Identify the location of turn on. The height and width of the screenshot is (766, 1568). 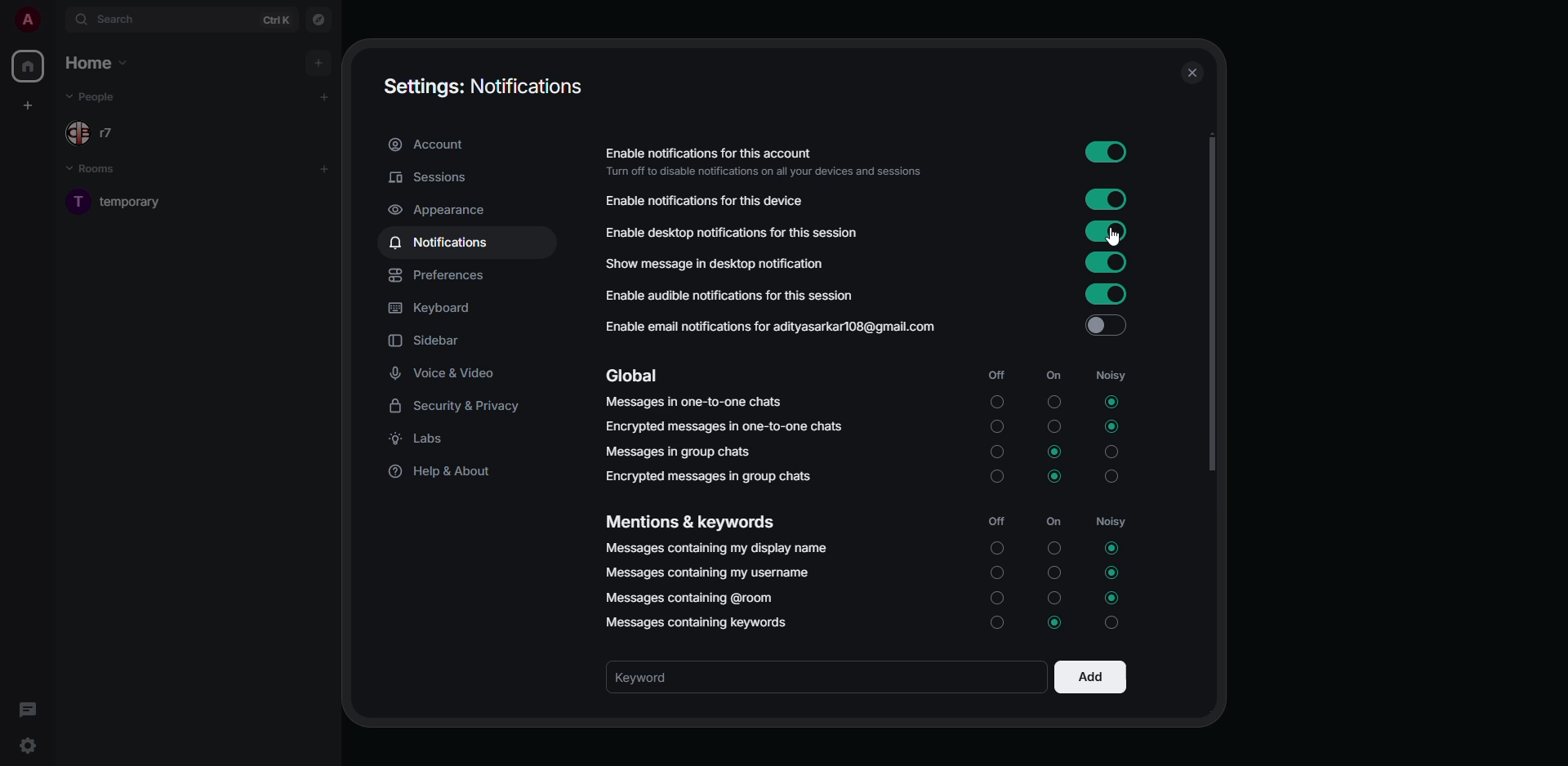
(995, 626).